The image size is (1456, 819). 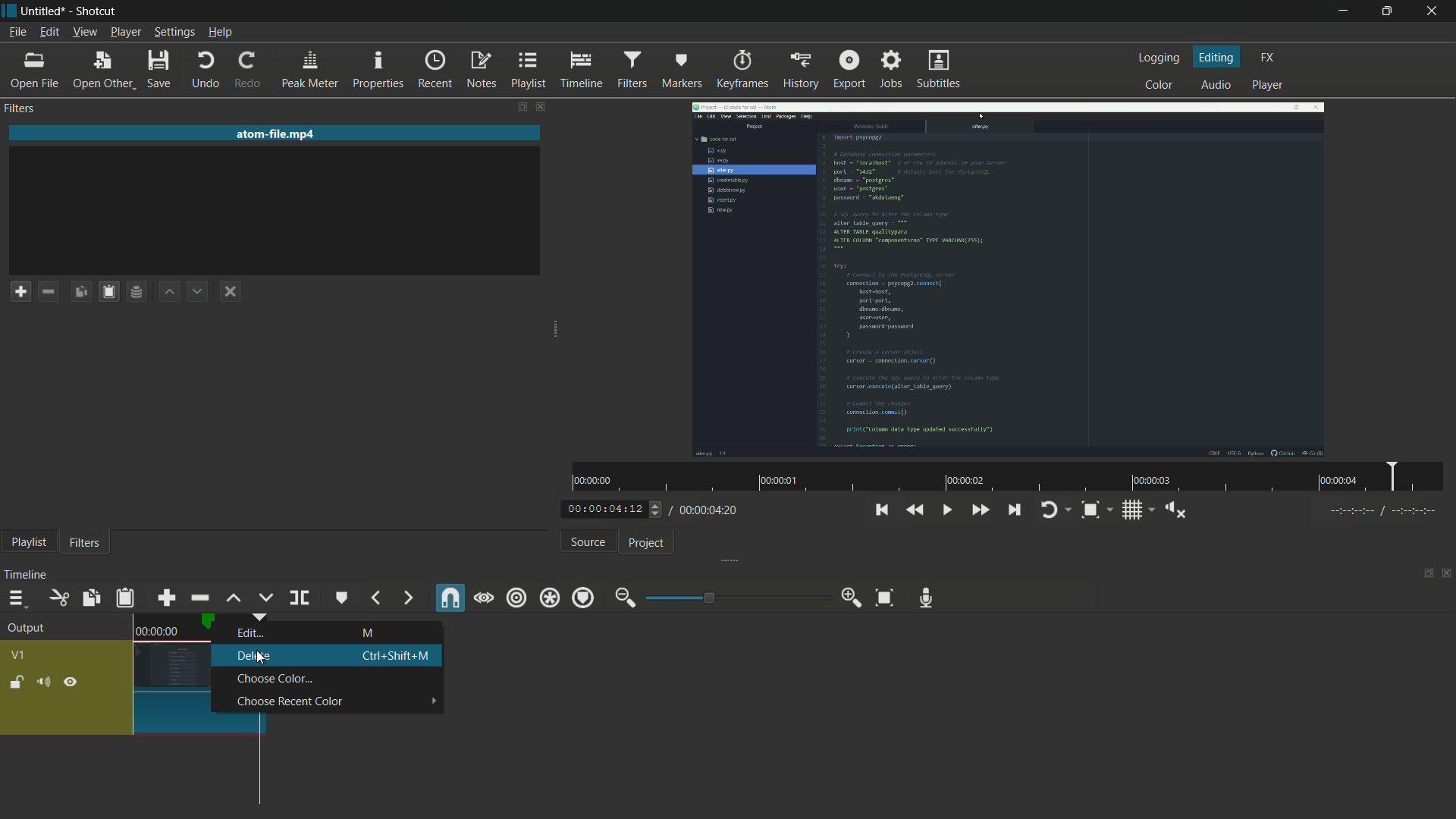 I want to click on cursor, so click(x=258, y=660).